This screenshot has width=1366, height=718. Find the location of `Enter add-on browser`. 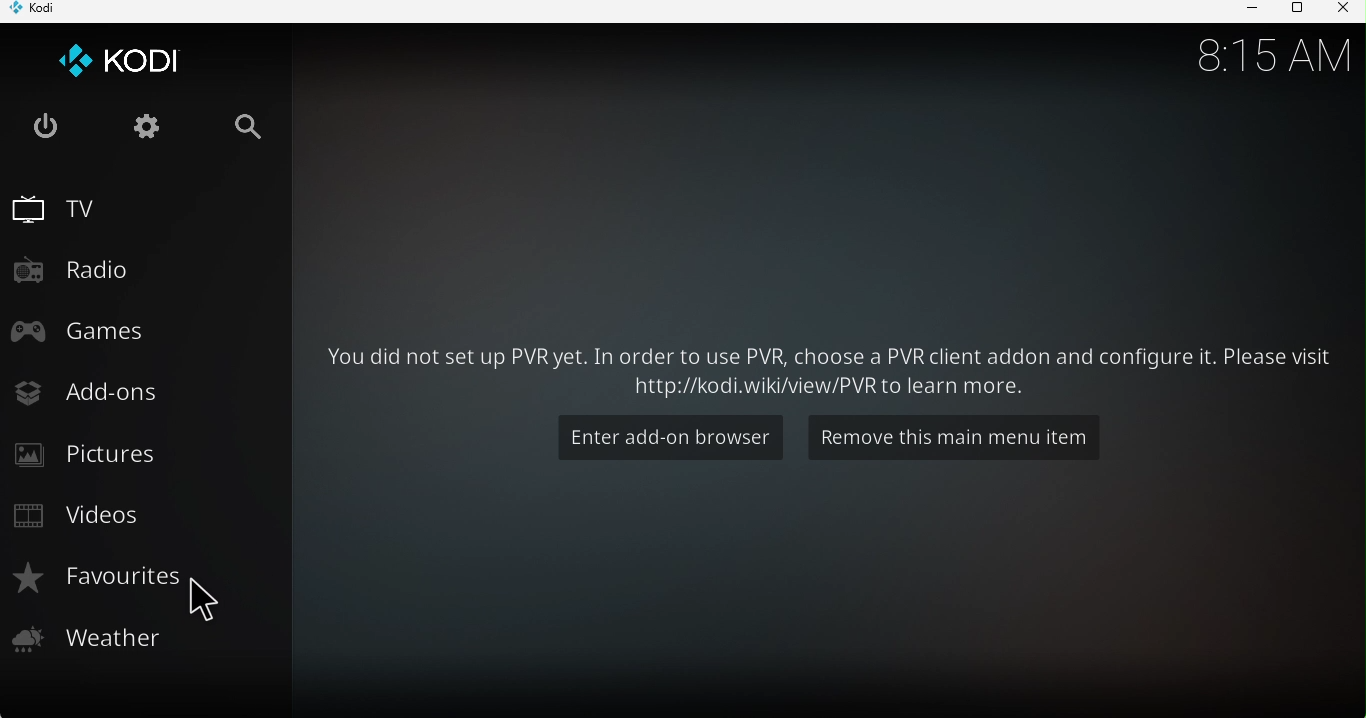

Enter add-on browser is located at coordinates (676, 435).